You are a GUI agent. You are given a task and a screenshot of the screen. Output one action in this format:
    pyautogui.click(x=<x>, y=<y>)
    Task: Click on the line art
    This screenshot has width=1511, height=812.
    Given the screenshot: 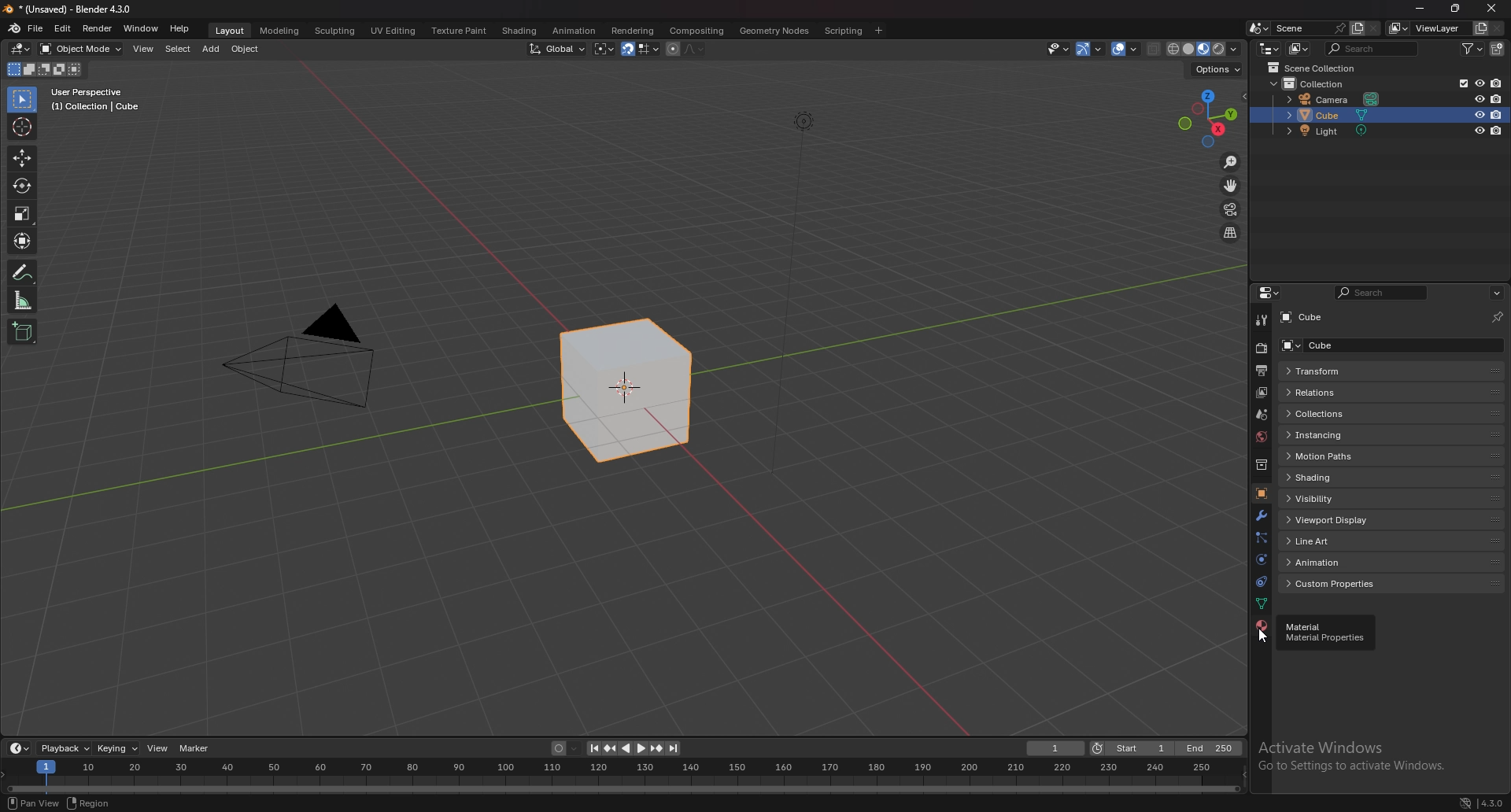 What is the action you would take?
    pyautogui.click(x=1395, y=540)
    